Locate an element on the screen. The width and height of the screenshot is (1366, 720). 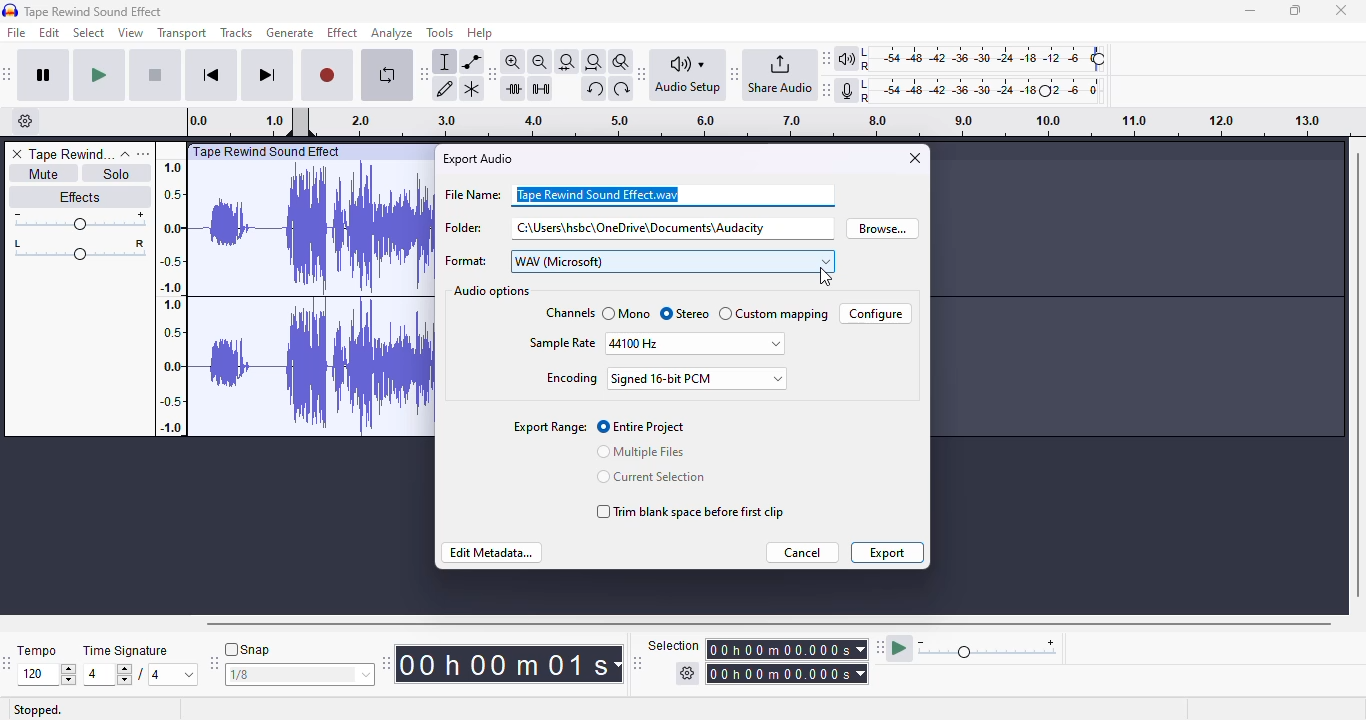
cancel is located at coordinates (804, 553).